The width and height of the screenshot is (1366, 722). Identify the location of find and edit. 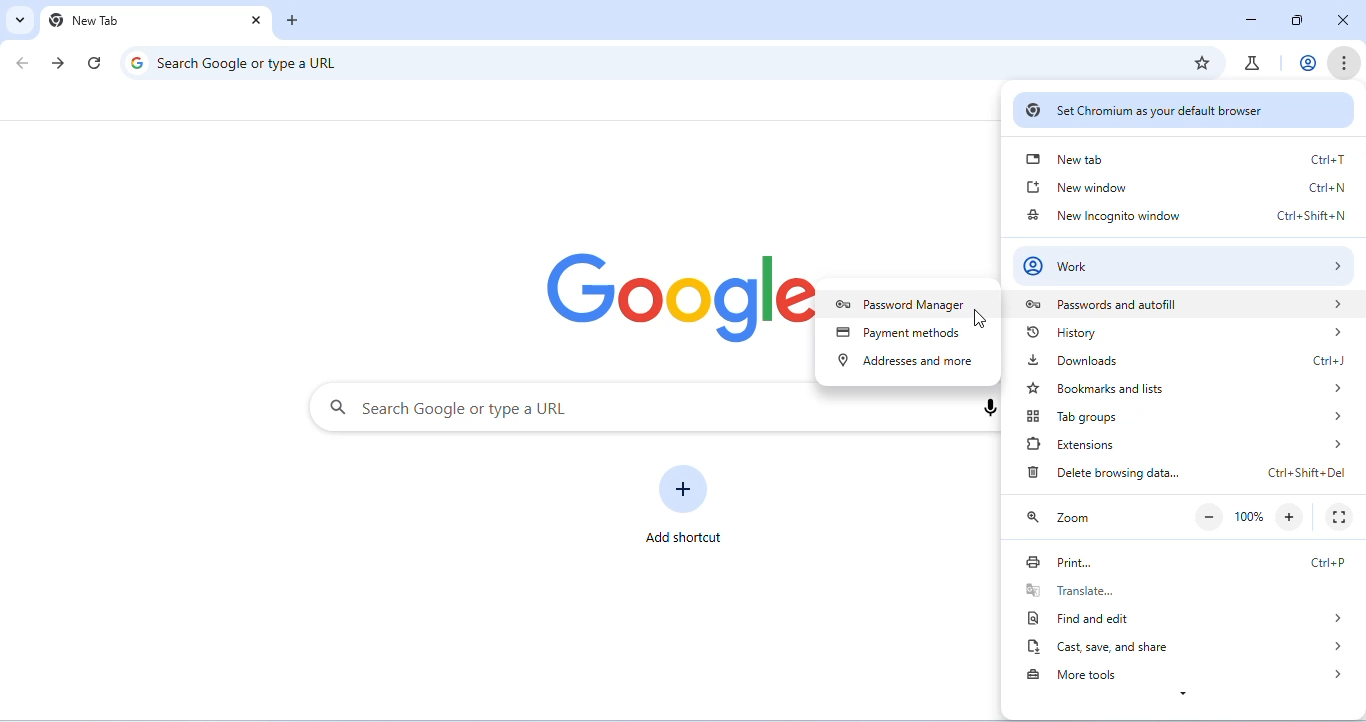
(1183, 616).